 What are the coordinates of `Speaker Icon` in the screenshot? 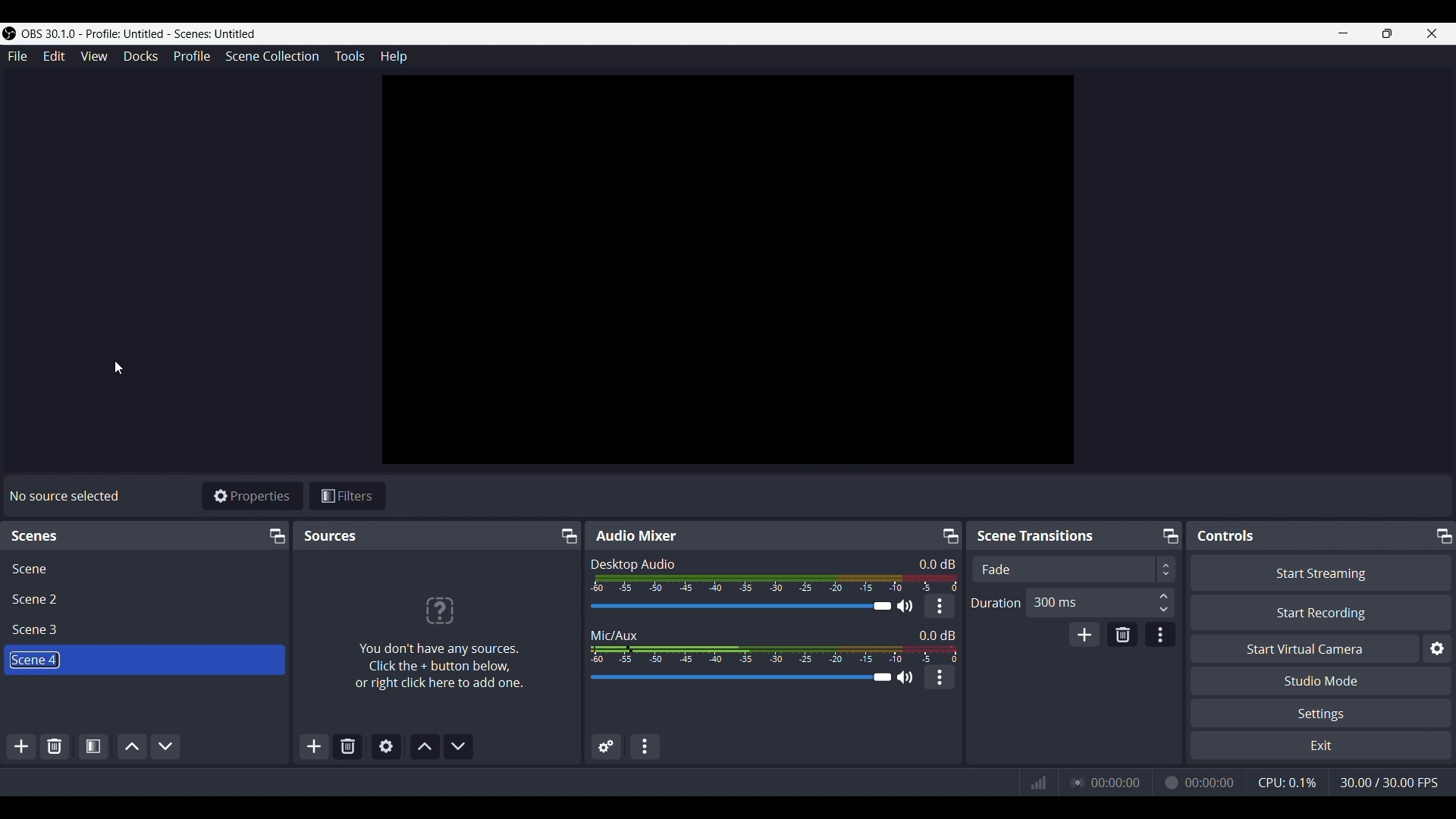 It's located at (905, 606).